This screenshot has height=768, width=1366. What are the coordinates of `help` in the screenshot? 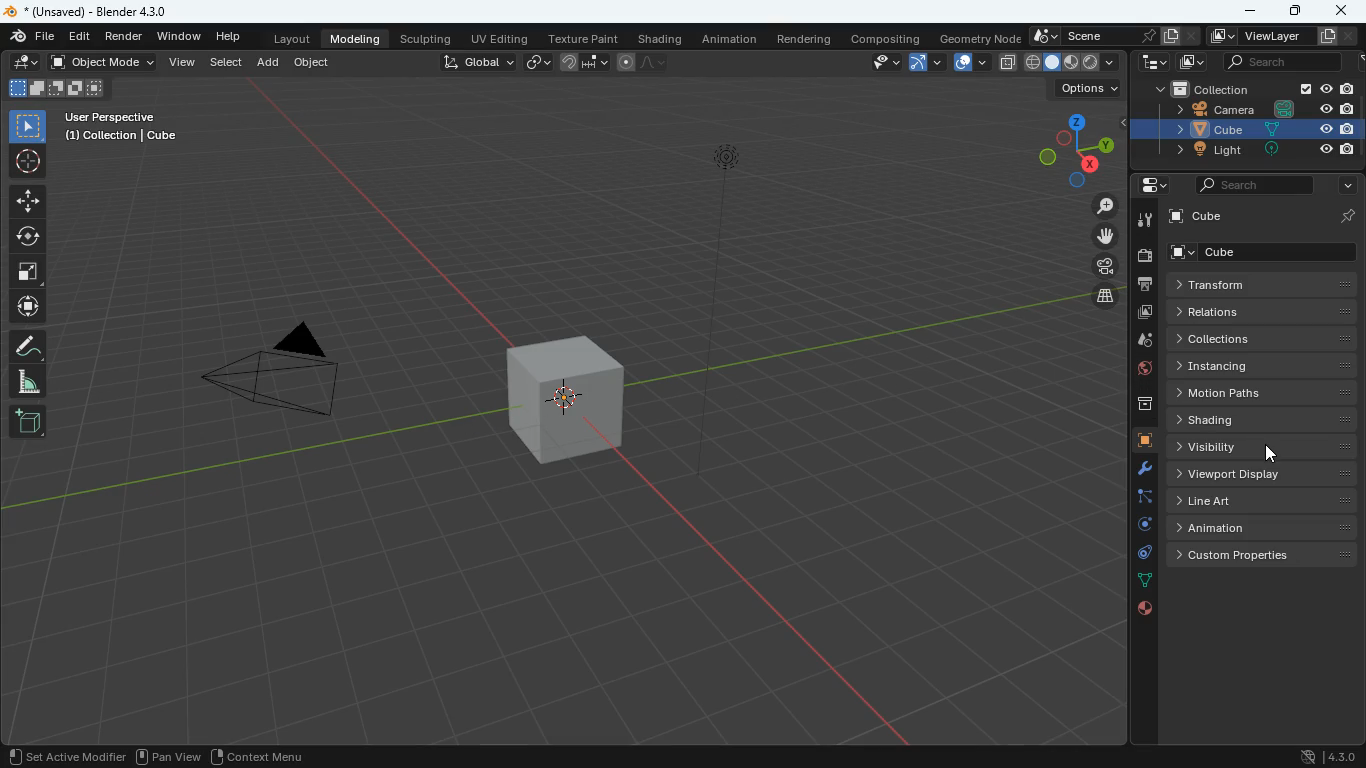 It's located at (227, 37).